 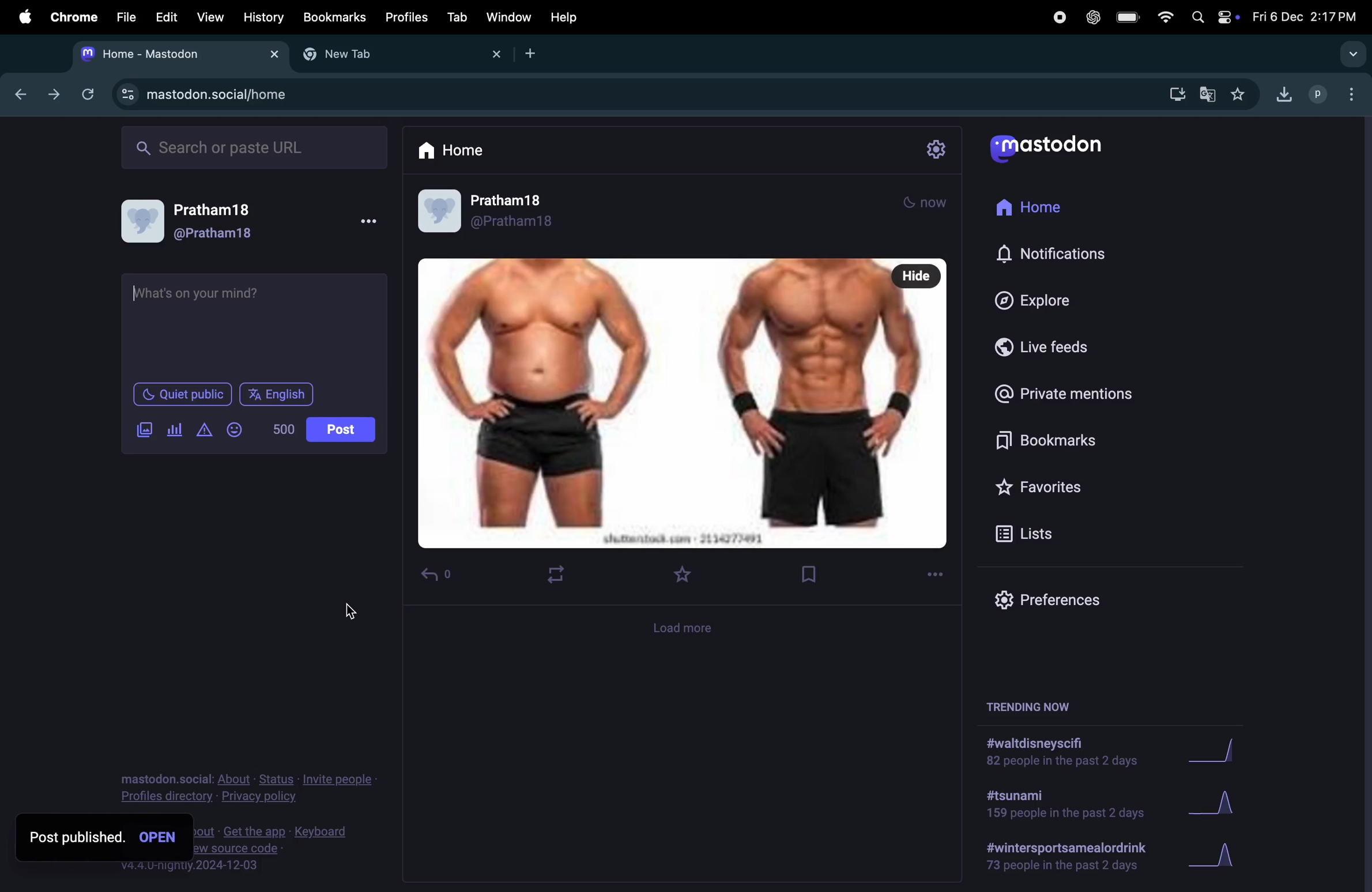 What do you see at coordinates (181, 395) in the screenshot?
I see `Quiet public` at bounding box center [181, 395].